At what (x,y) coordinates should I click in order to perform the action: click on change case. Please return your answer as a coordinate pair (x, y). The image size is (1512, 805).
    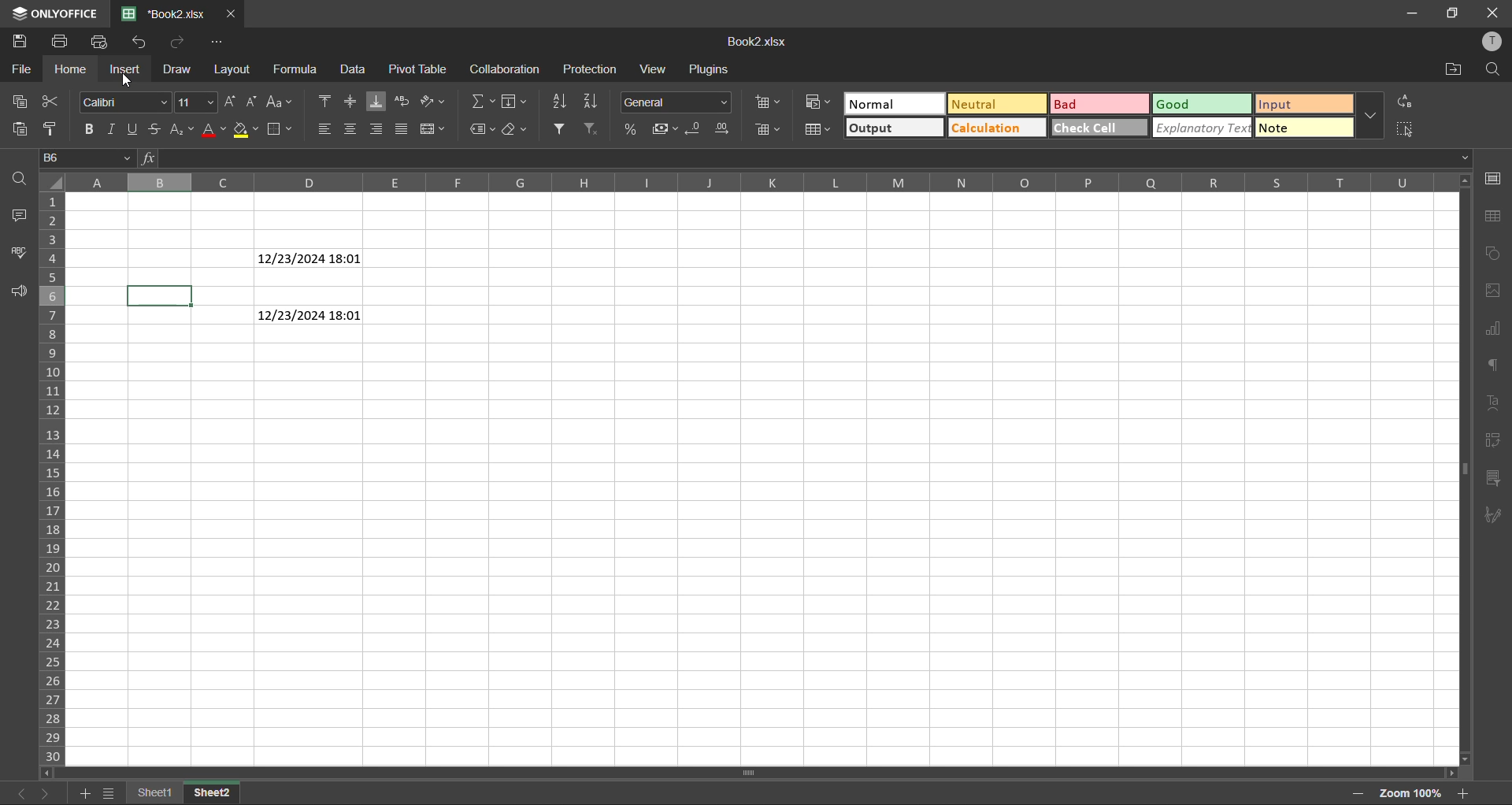
    Looking at the image, I should click on (280, 101).